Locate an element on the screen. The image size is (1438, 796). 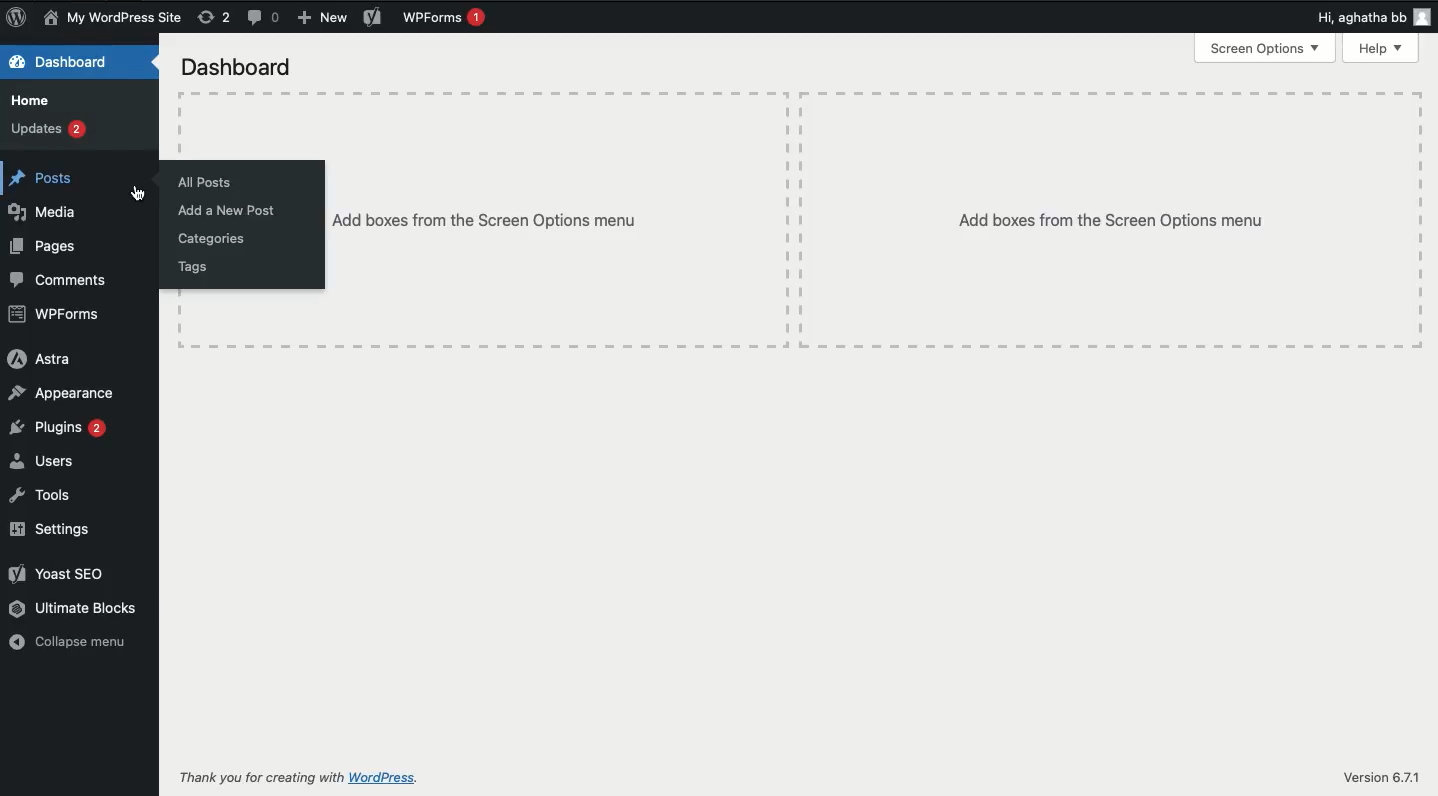
 is located at coordinates (559, 218).